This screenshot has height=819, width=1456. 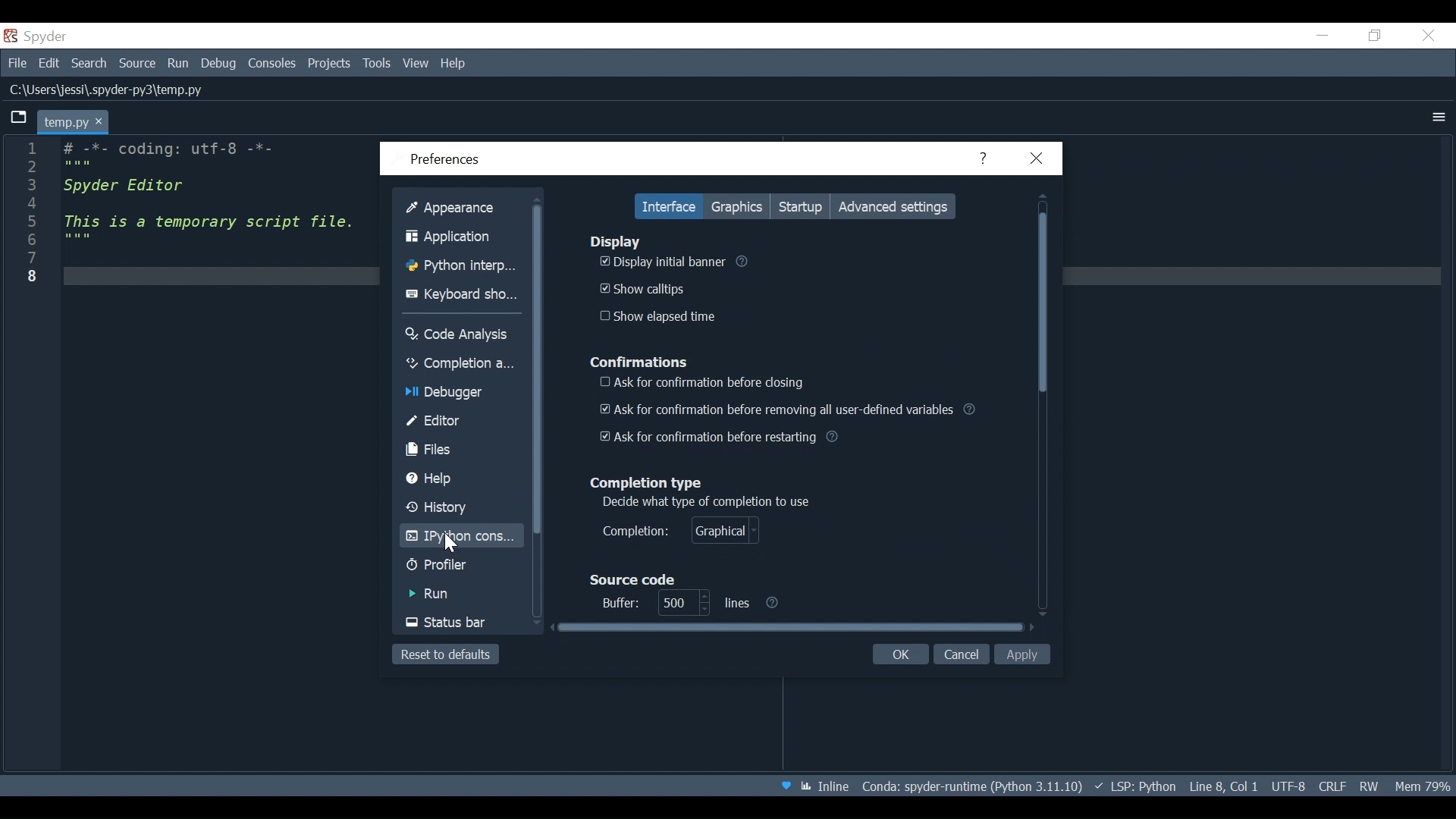 I want to click on Tools, so click(x=377, y=63).